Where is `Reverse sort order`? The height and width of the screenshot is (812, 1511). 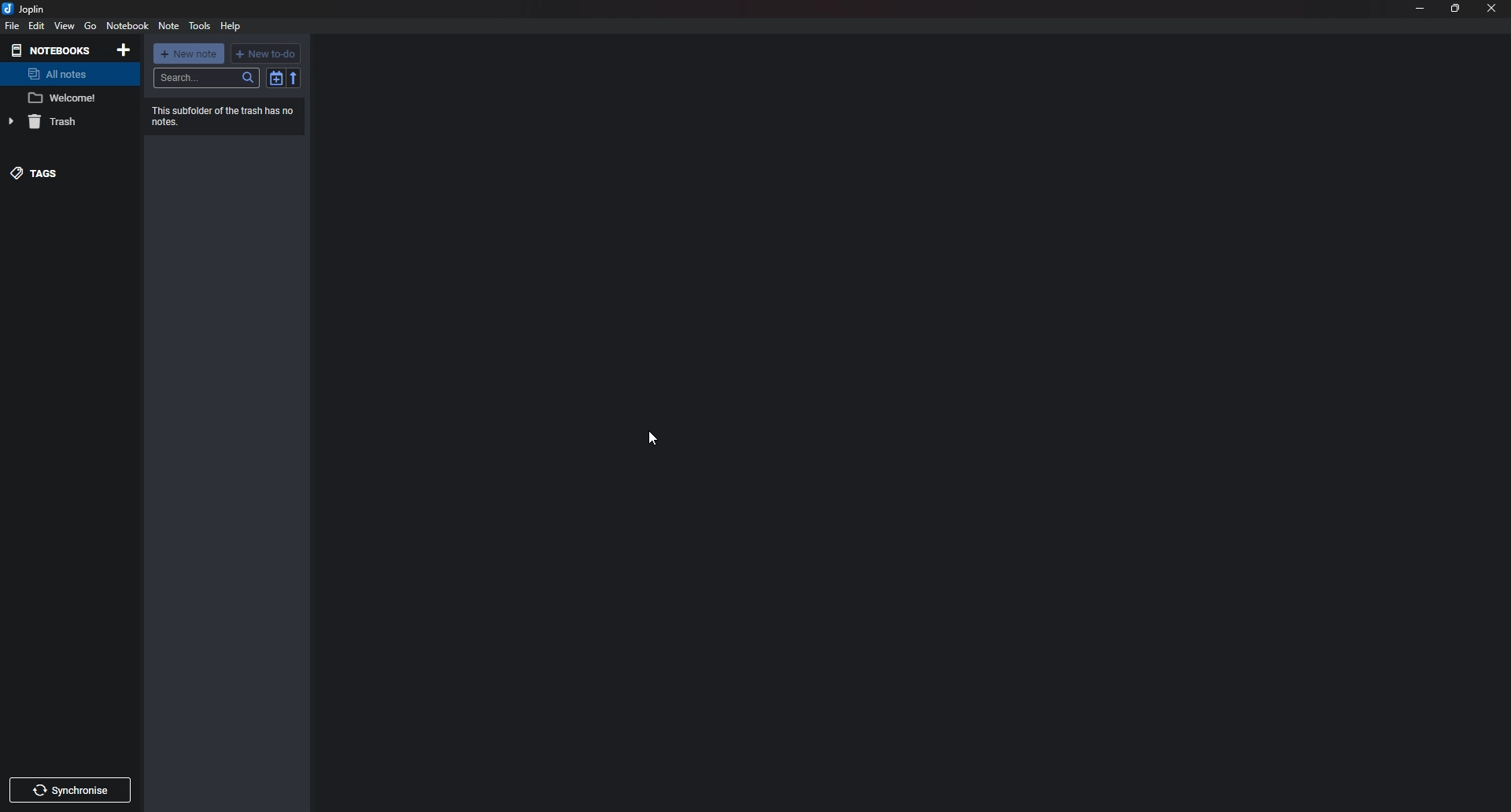 Reverse sort order is located at coordinates (293, 79).